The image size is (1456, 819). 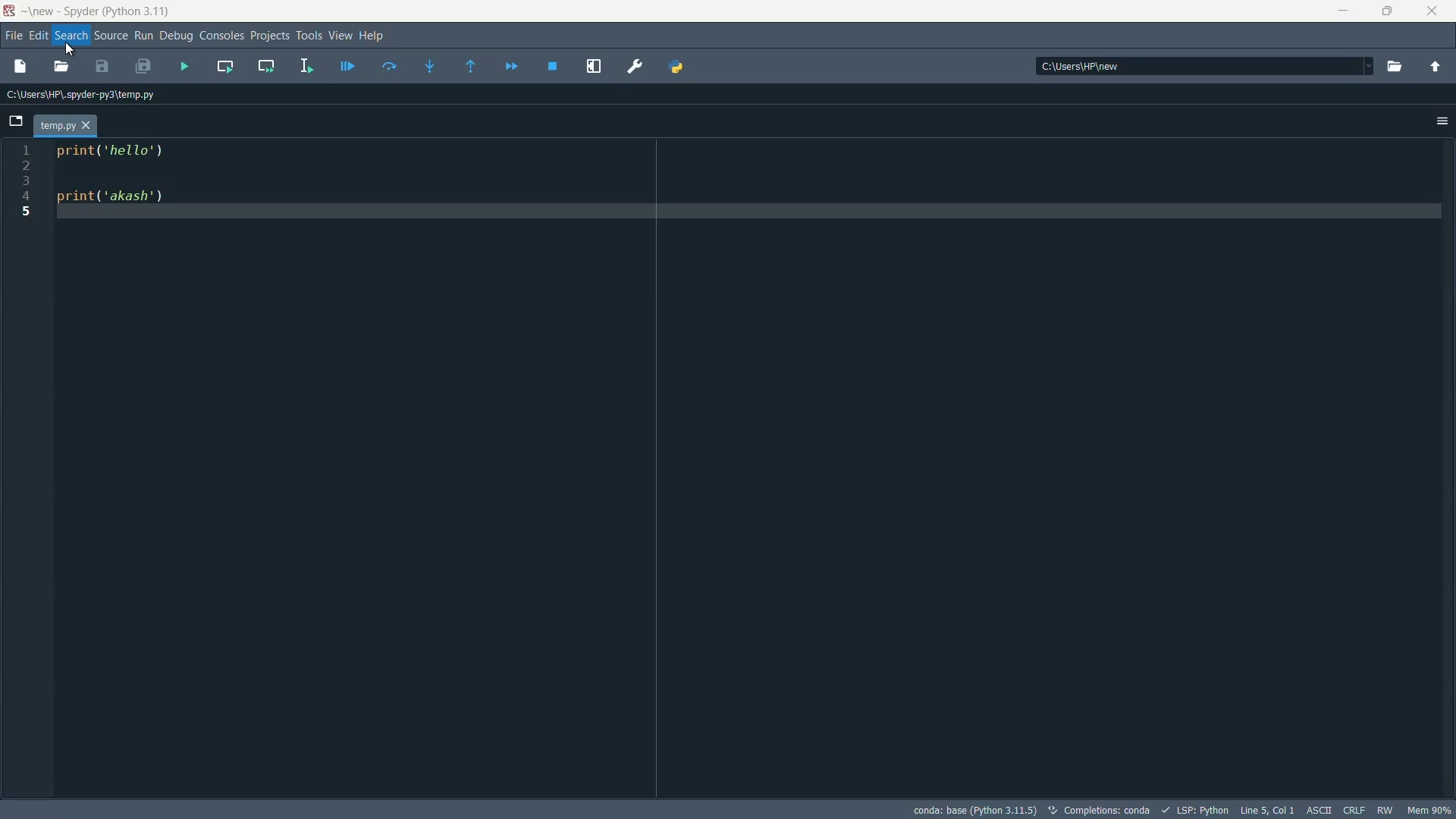 What do you see at coordinates (676, 67) in the screenshot?
I see `python path manager` at bounding box center [676, 67].